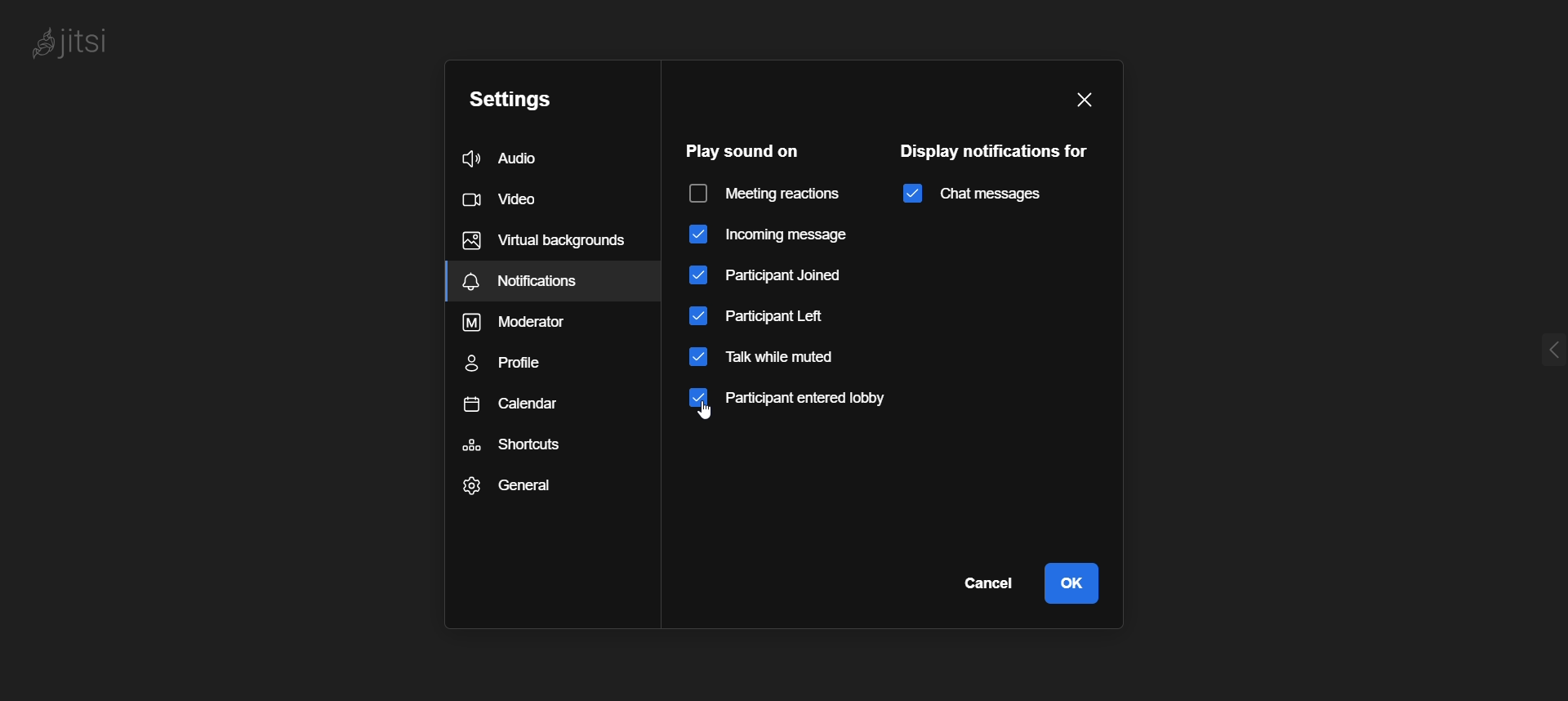 This screenshot has width=1568, height=701. Describe the element at coordinates (803, 401) in the screenshot. I see `participant entered lobby` at that location.